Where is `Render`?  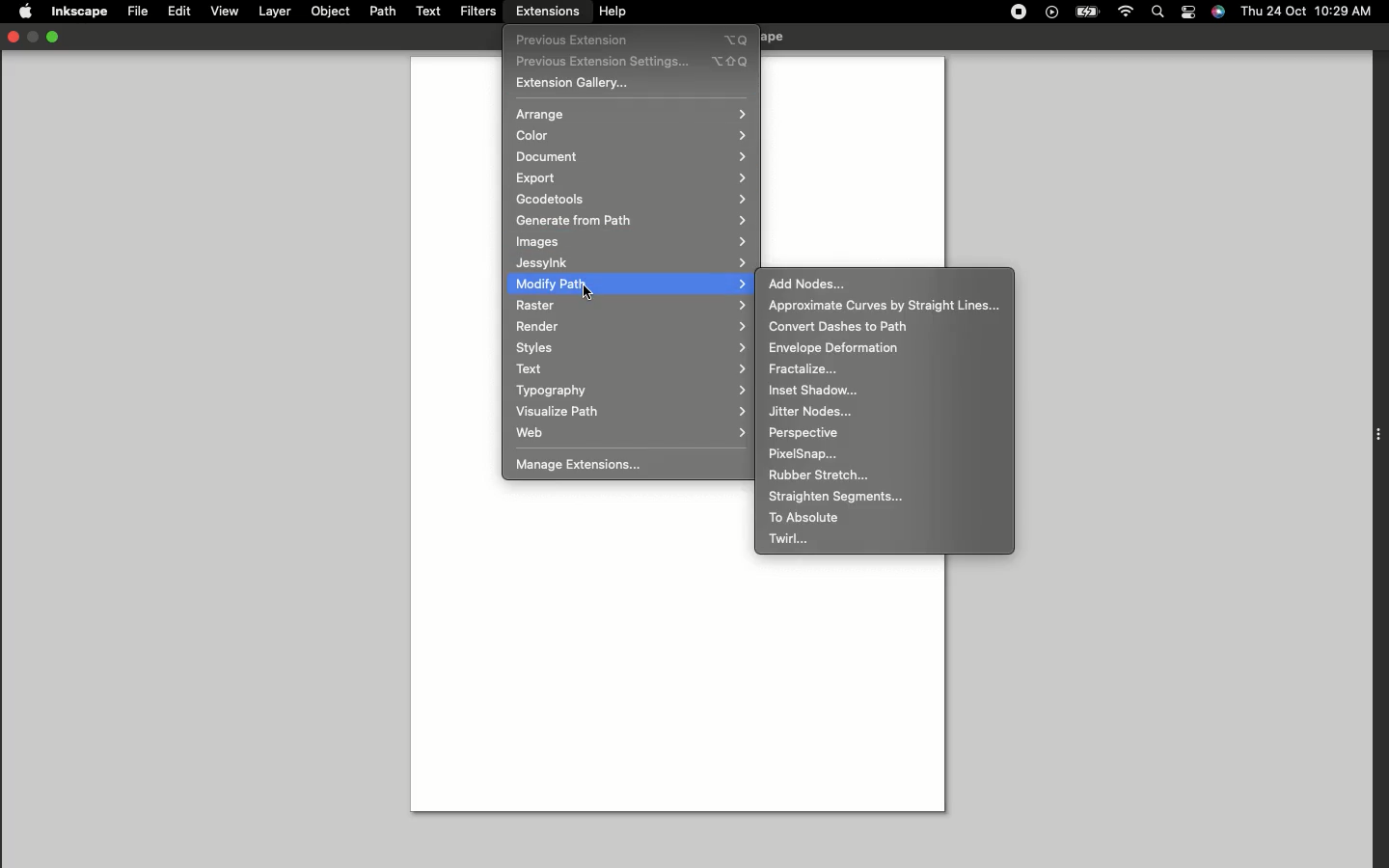 Render is located at coordinates (633, 326).